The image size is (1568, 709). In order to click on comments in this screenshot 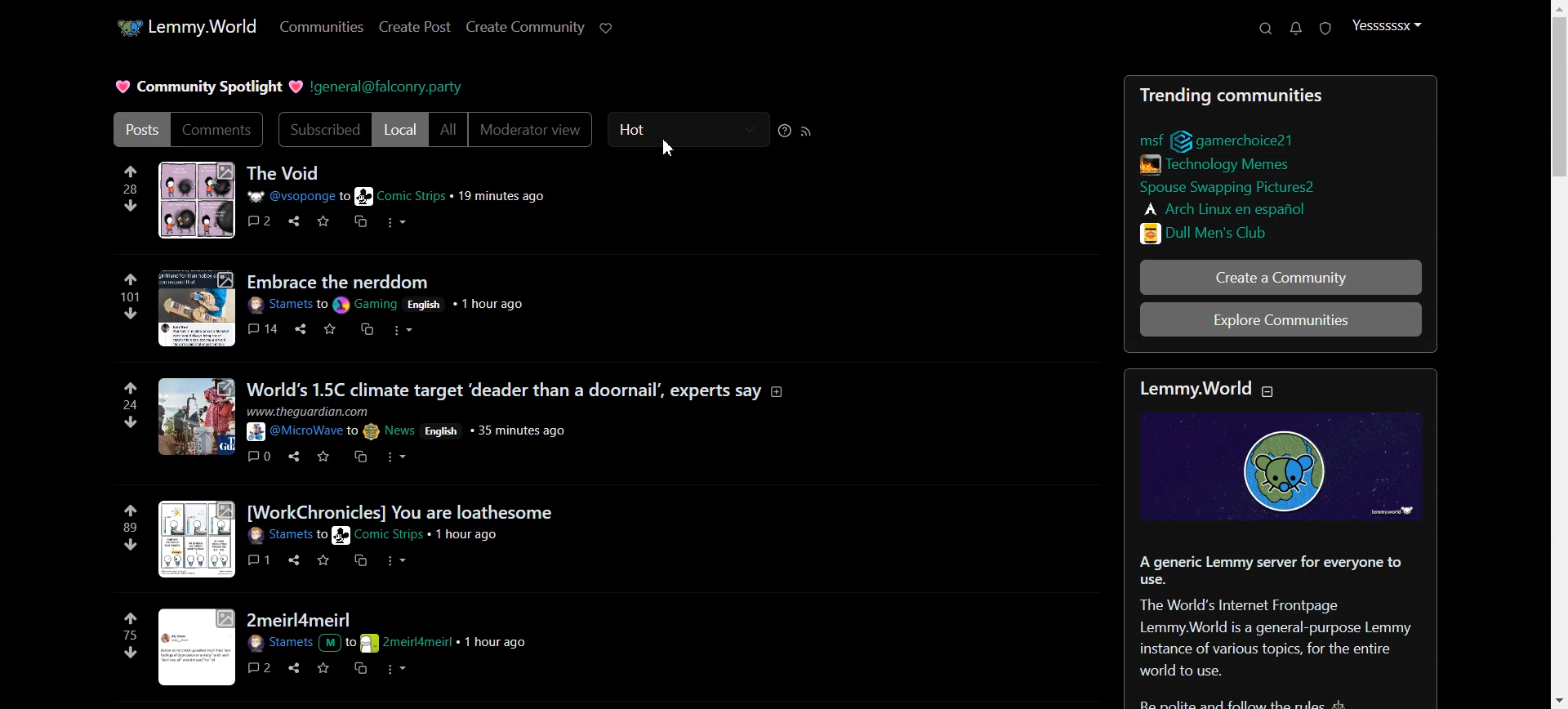, I will do `click(259, 216)`.